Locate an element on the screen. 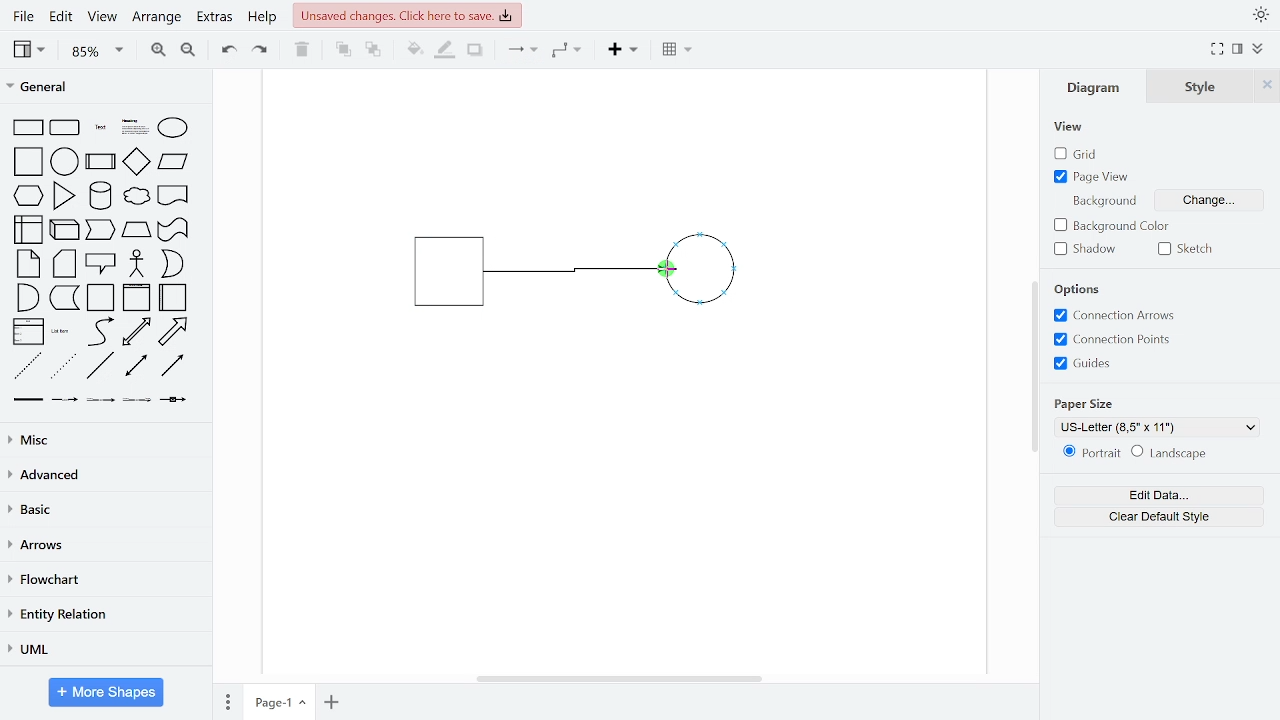 The image size is (1280, 720). change background is located at coordinates (1206, 203).